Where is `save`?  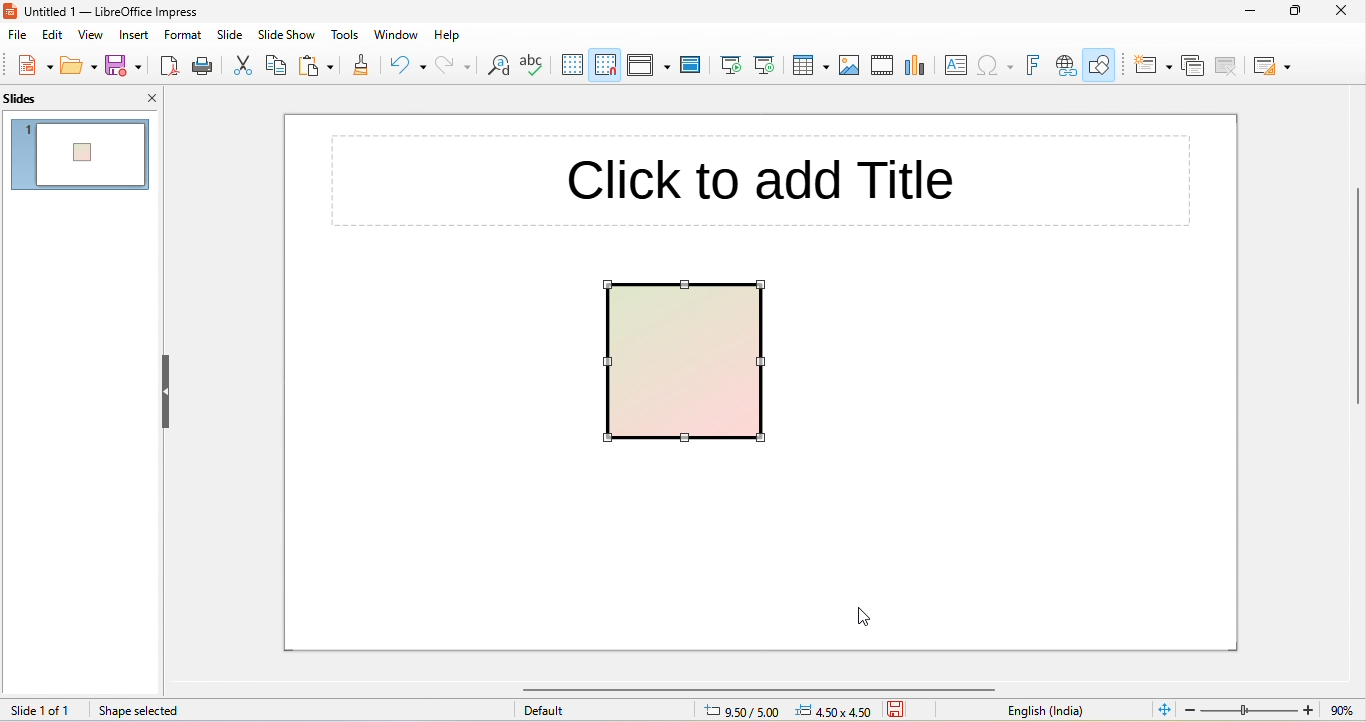 save is located at coordinates (124, 64).